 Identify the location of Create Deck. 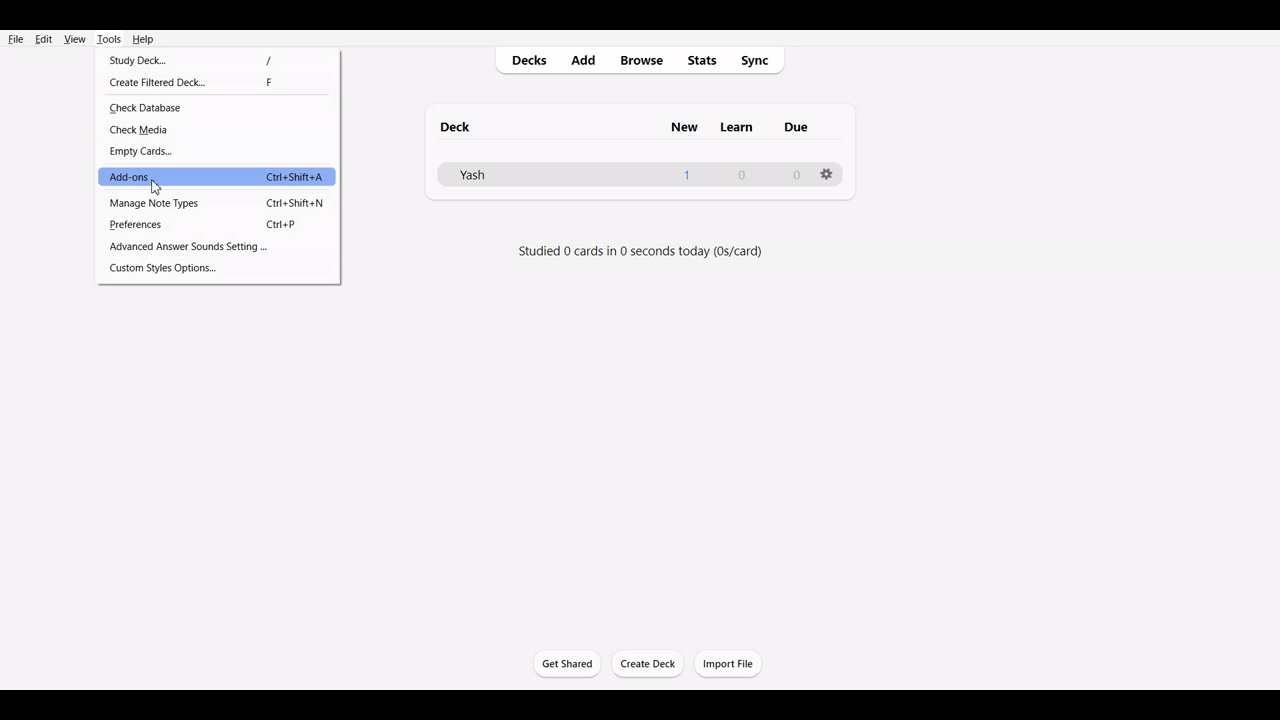
(649, 664).